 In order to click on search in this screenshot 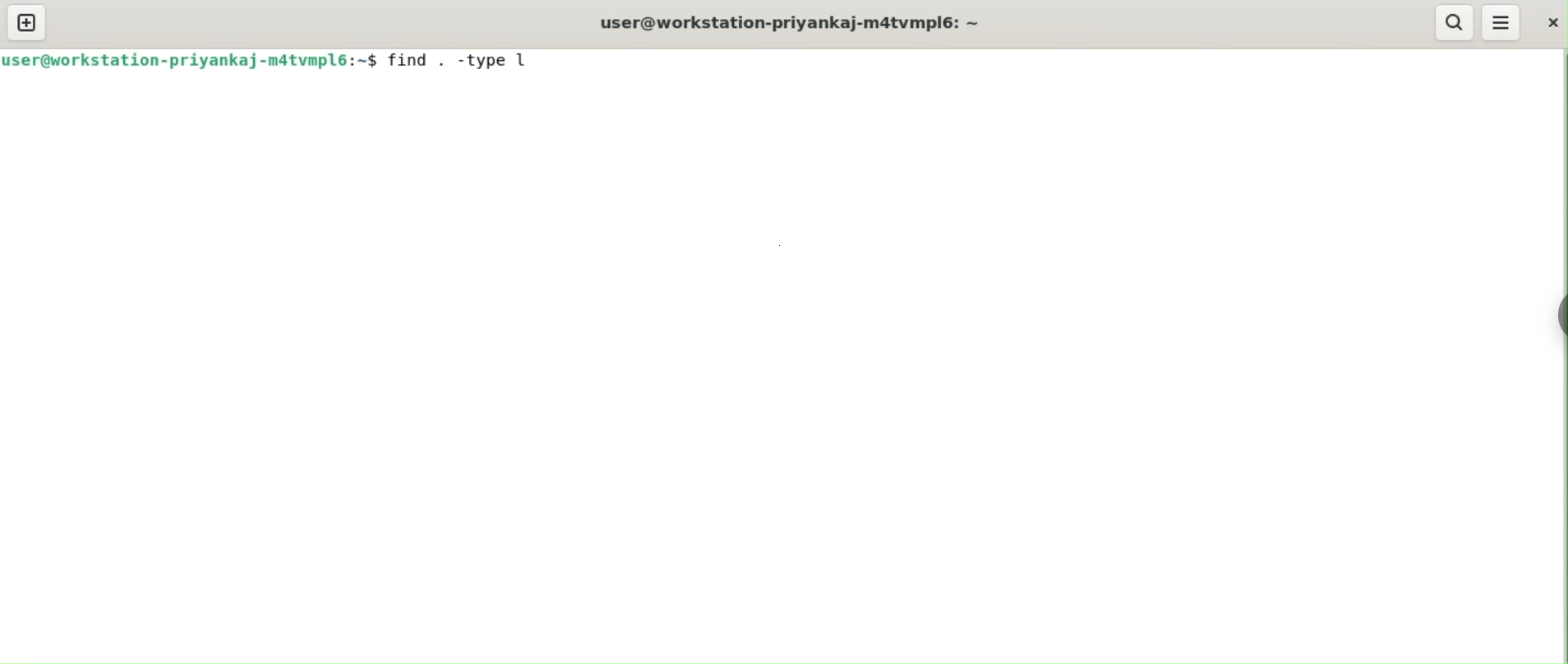, I will do `click(1453, 22)`.